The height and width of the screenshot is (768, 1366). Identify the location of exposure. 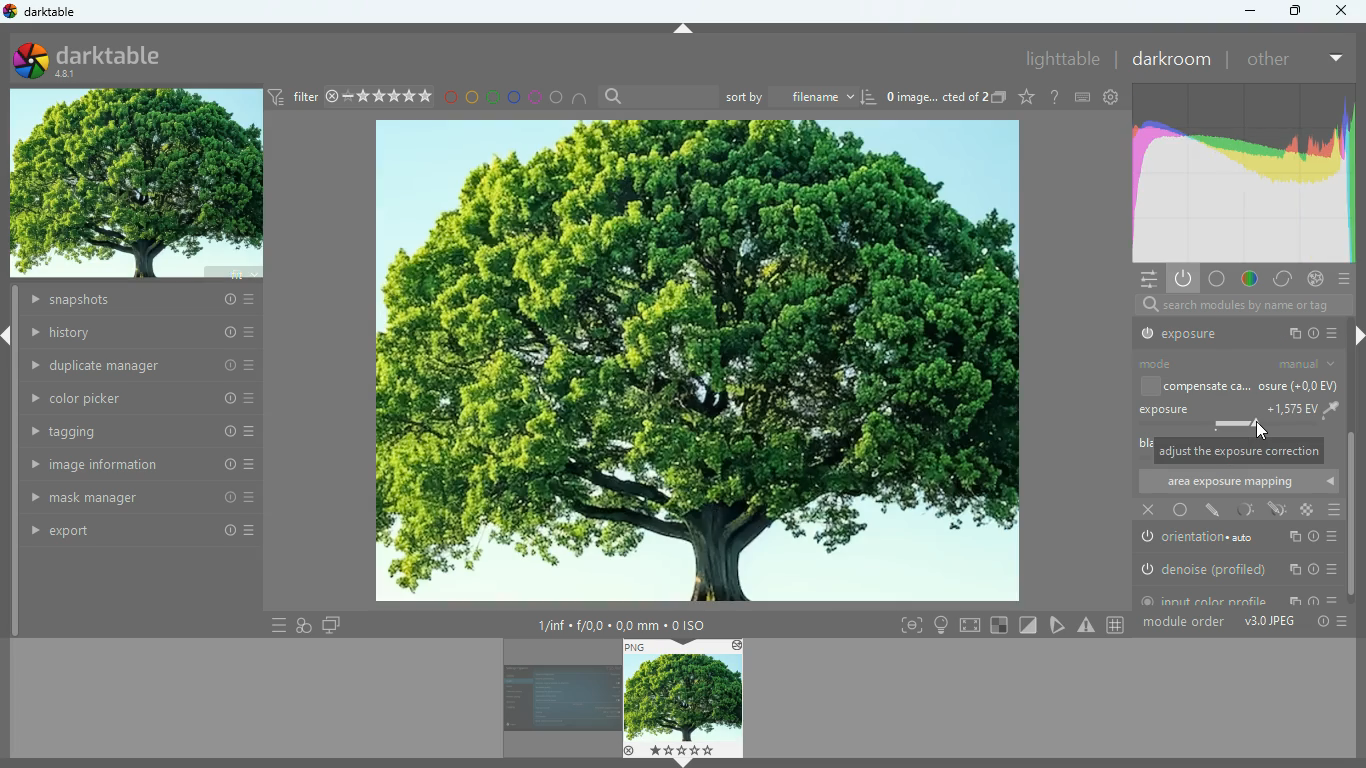
(1243, 406).